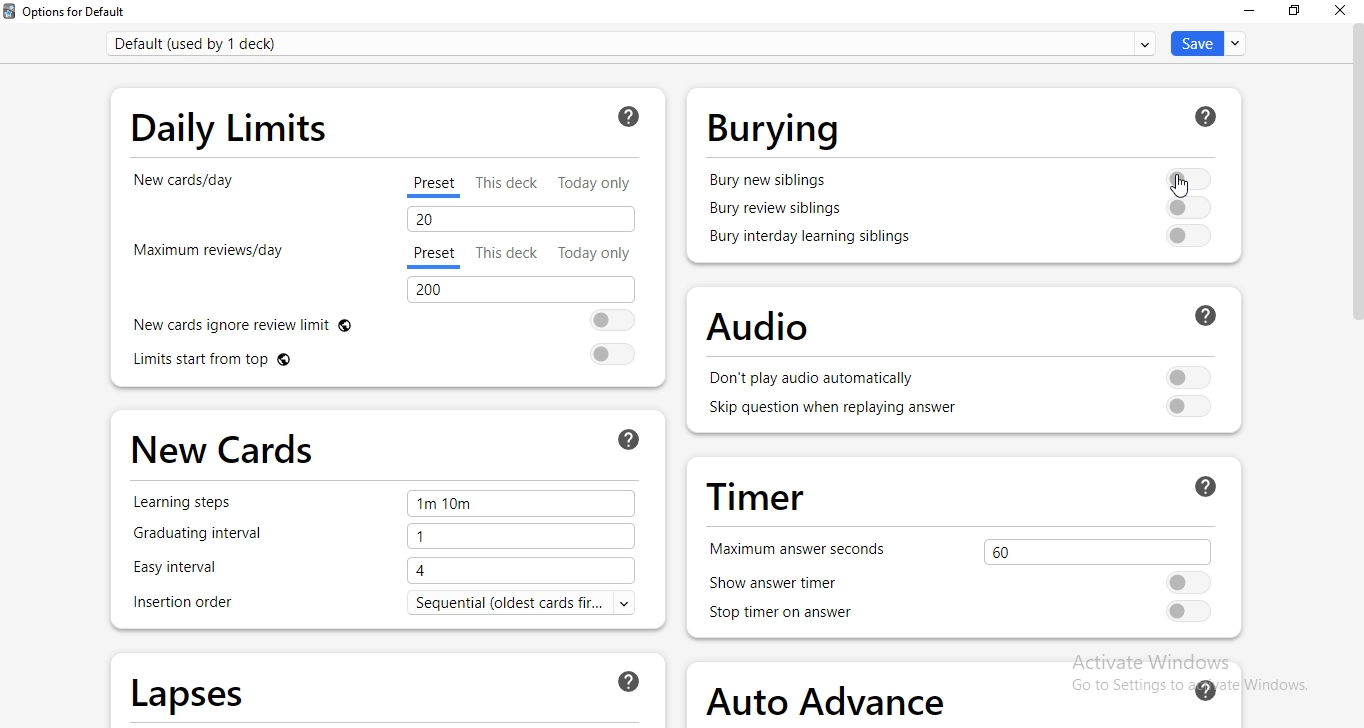 The width and height of the screenshot is (1364, 728). Describe the element at coordinates (824, 413) in the screenshot. I see `skip question when replaying answer` at that location.